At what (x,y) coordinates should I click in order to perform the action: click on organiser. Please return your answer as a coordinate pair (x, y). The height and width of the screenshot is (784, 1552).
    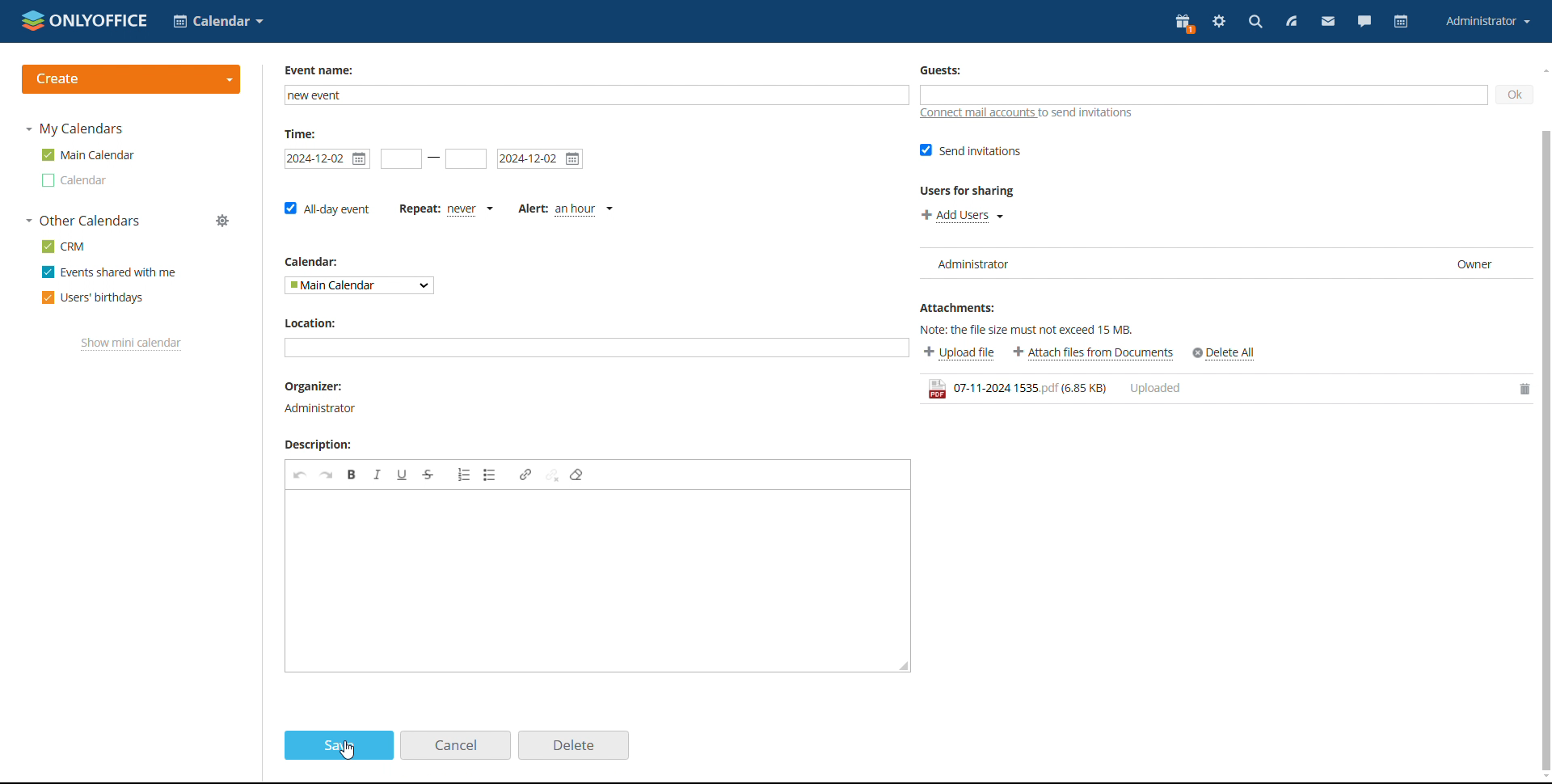
    Looking at the image, I should click on (327, 409).